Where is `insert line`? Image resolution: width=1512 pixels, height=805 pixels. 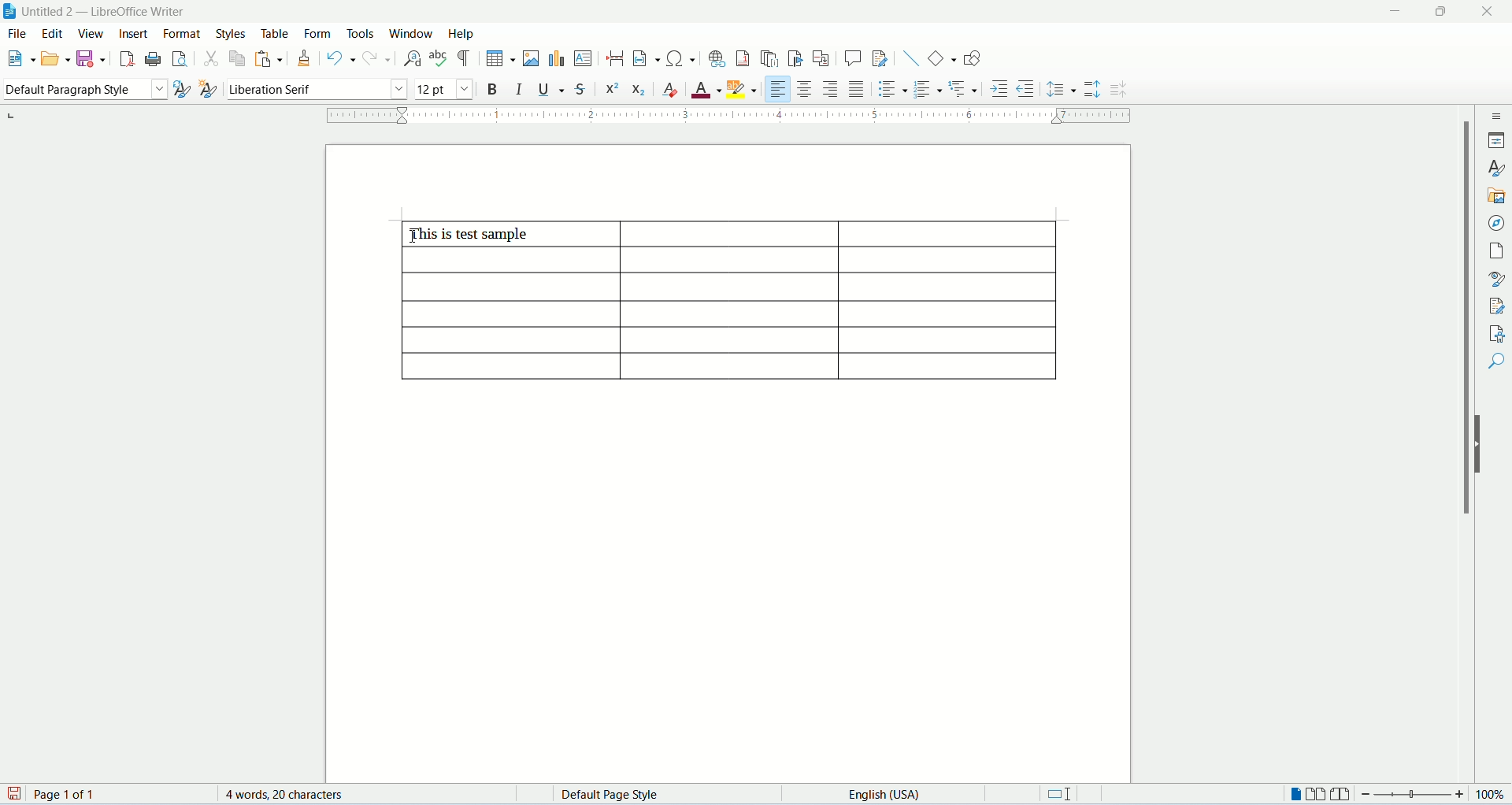
insert line is located at coordinates (912, 59).